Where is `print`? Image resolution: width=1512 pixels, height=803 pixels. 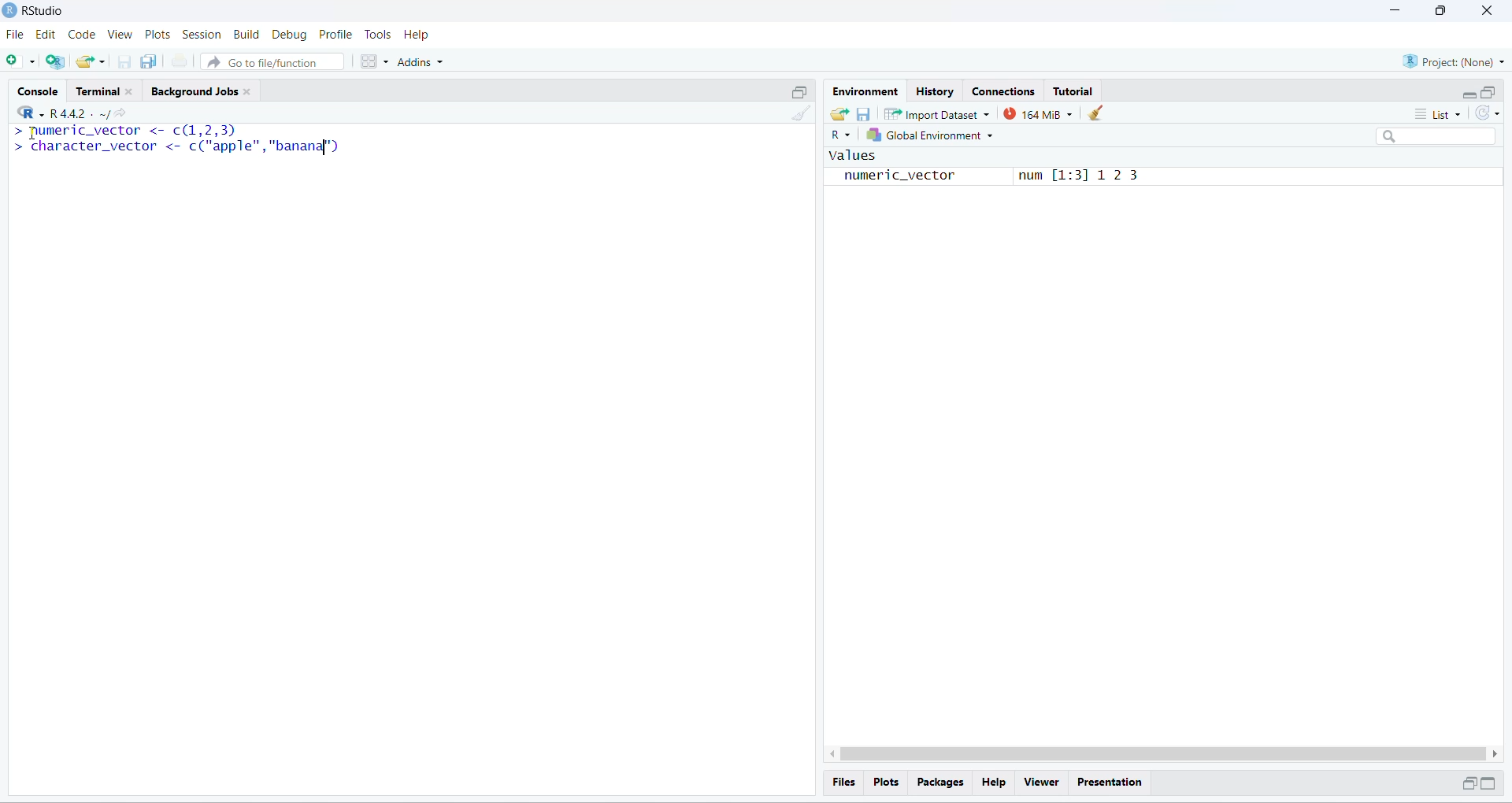 print is located at coordinates (180, 61).